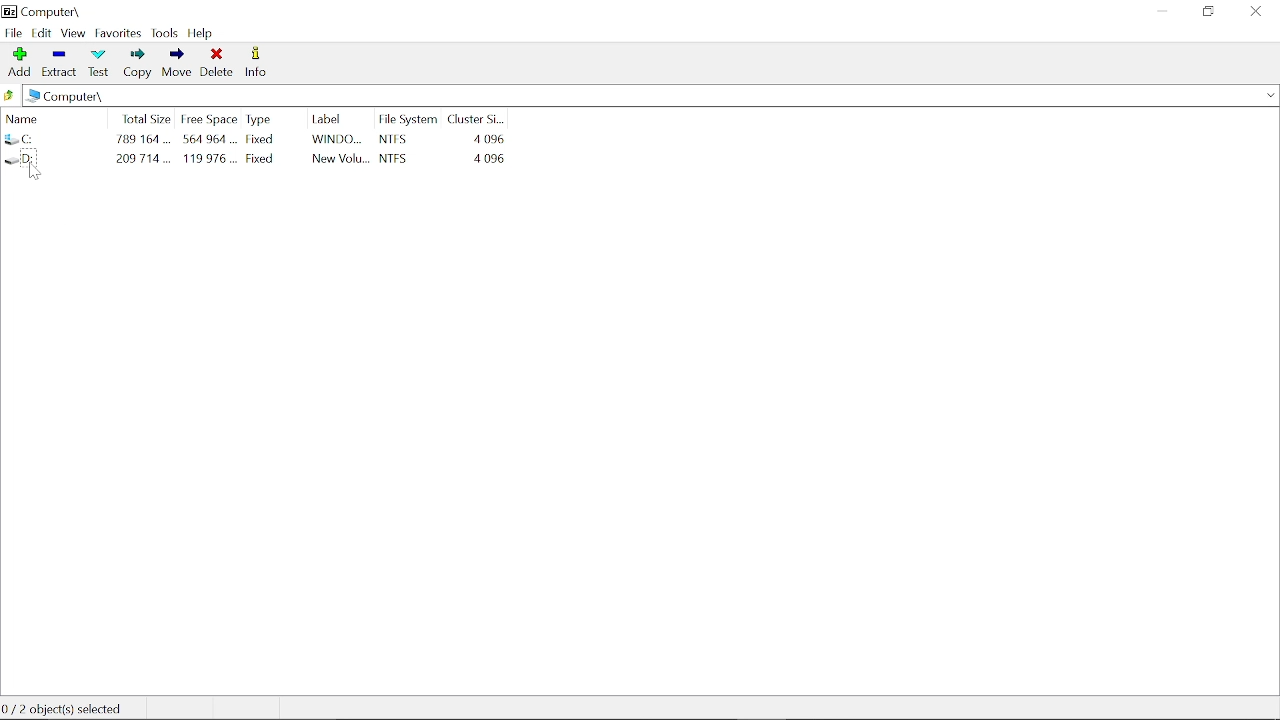  Describe the element at coordinates (264, 148) in the screenshot. I see `Fixed Fixed` at that location.